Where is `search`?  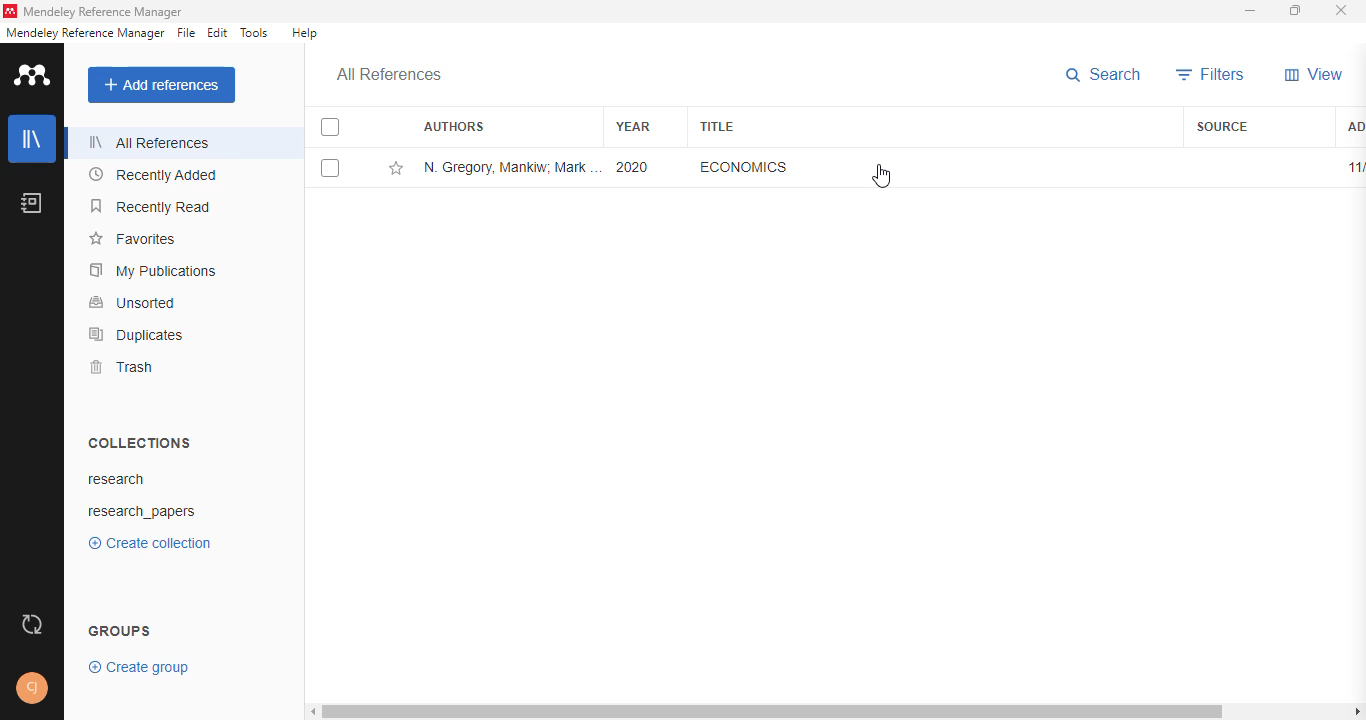 search is located at coordinates (1104, 74).